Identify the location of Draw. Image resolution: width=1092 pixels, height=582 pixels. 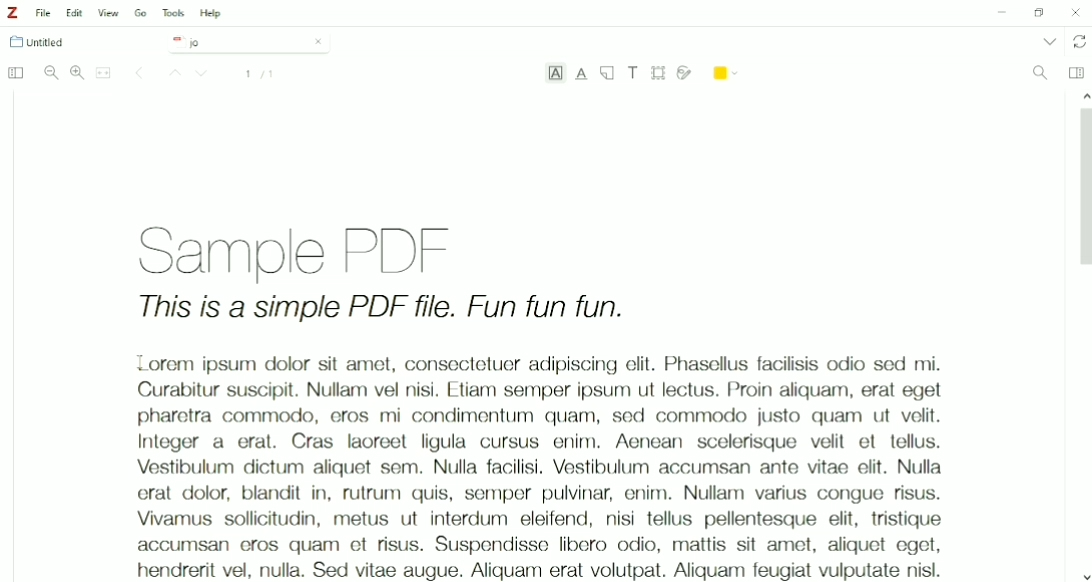
(685, 71).